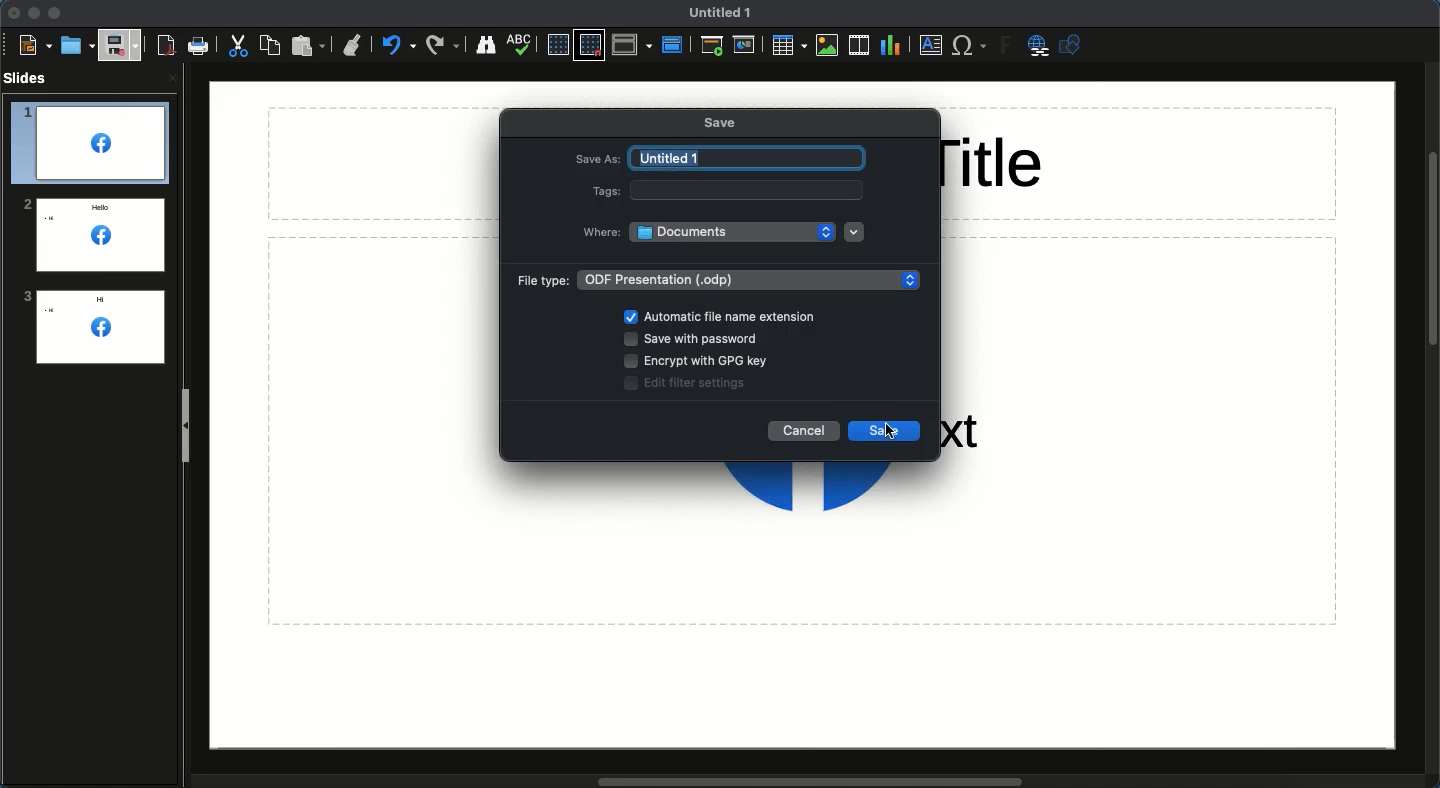 Image resolution: width=1440 pixels, height=788 pixels. Describe the element at coordinates (811, 782) in the screenshot. I see `Scroll bar` at that location.